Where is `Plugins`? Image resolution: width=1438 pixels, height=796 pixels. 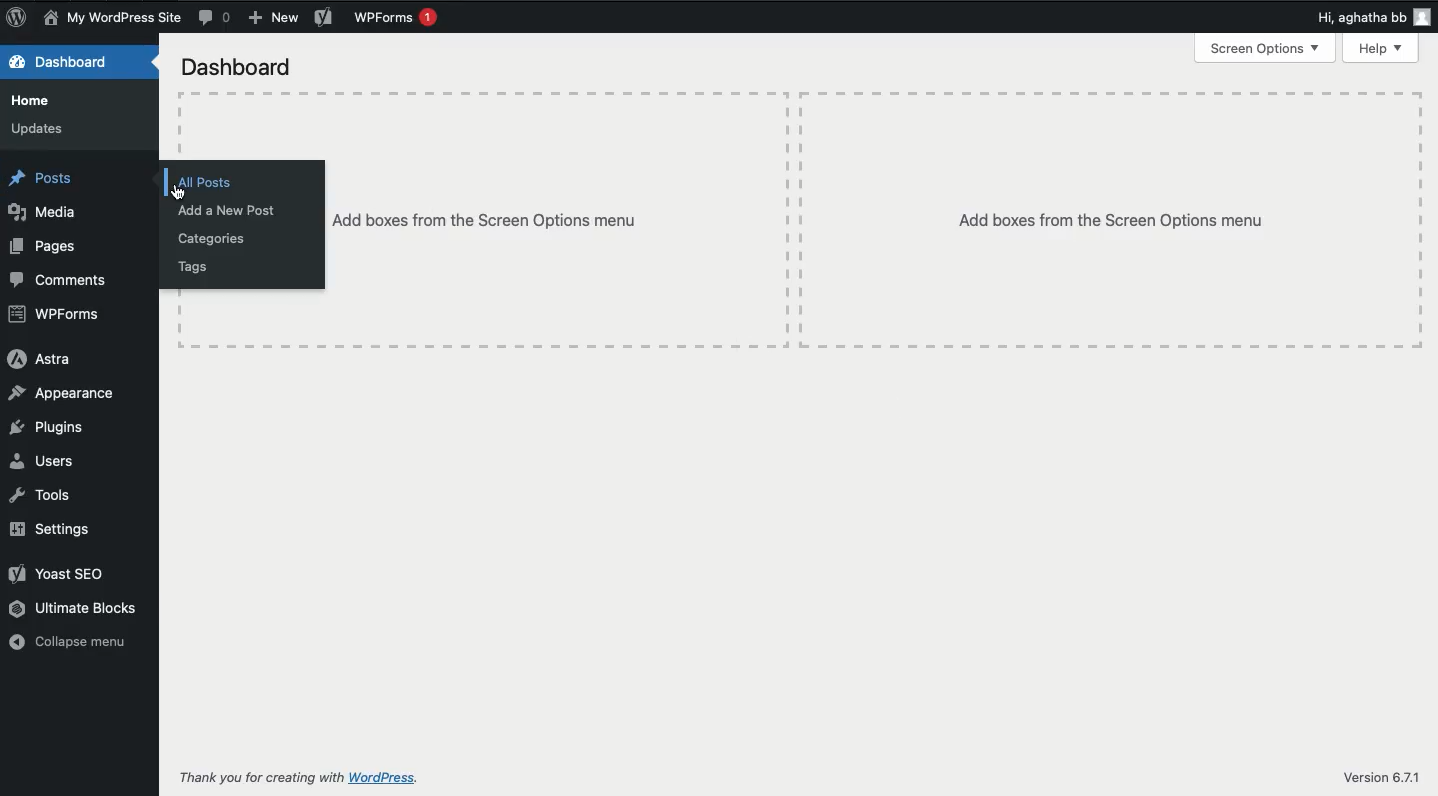
Plugins is located at coordinates (52, 427).